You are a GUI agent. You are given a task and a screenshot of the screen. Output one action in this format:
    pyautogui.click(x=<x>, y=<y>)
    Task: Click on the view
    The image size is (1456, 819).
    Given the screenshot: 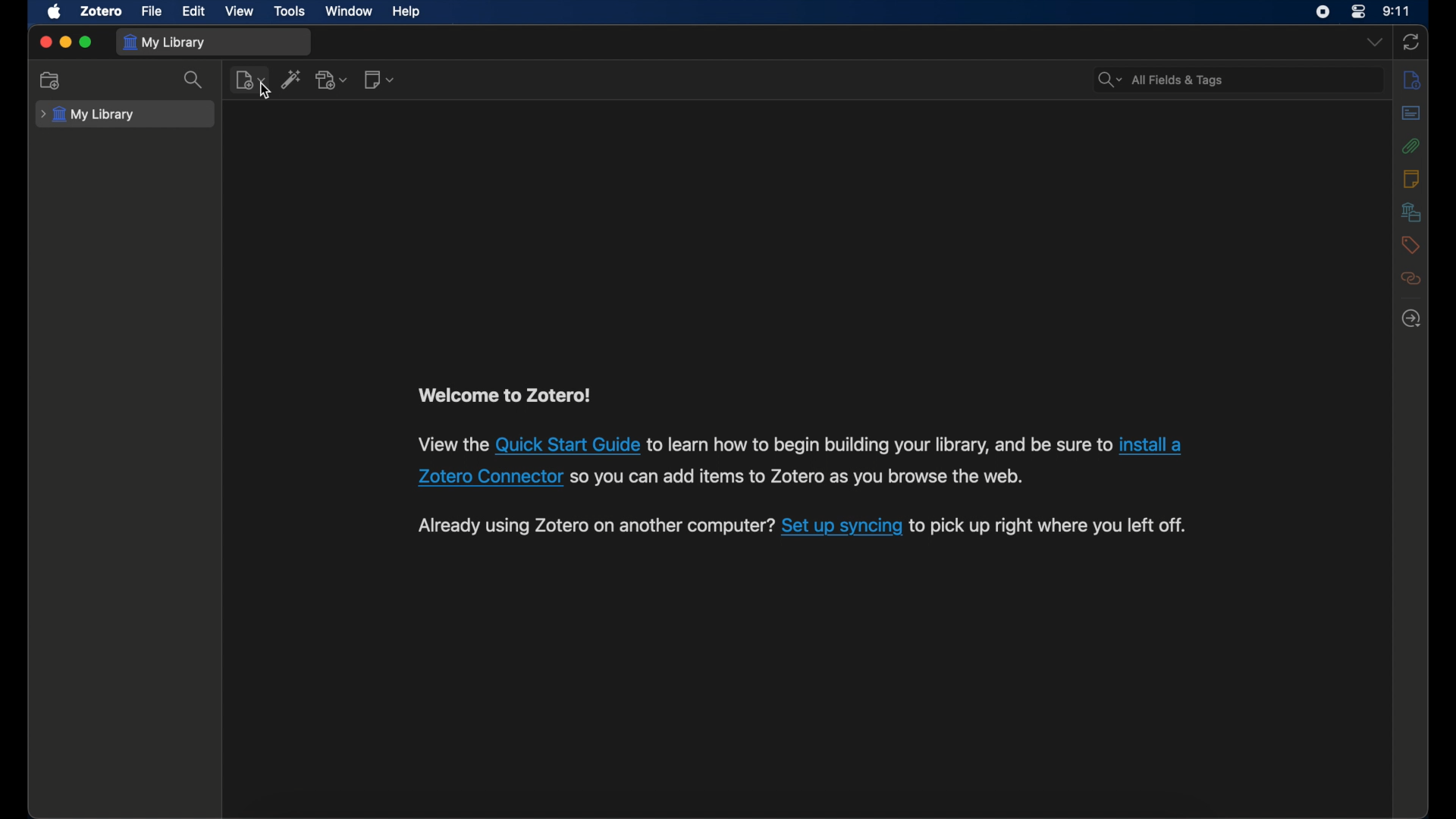 What is the action you would take?
    pyautogui.click(x=240, y=11)
    